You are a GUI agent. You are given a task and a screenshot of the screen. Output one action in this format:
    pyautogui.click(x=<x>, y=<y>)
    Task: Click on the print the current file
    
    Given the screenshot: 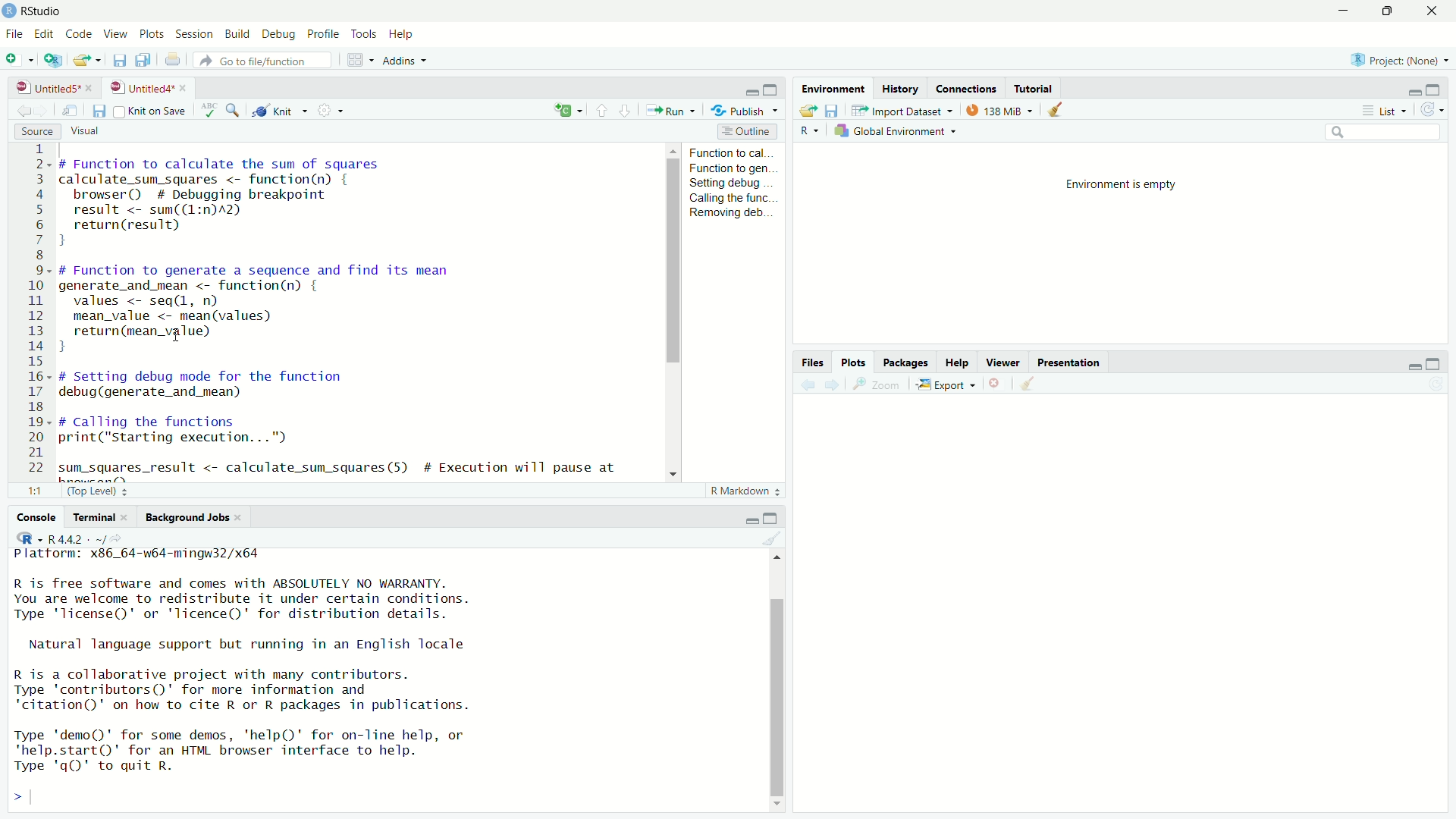 What is the action you would take?
    pyautogui.click(x=175, y=59)
    